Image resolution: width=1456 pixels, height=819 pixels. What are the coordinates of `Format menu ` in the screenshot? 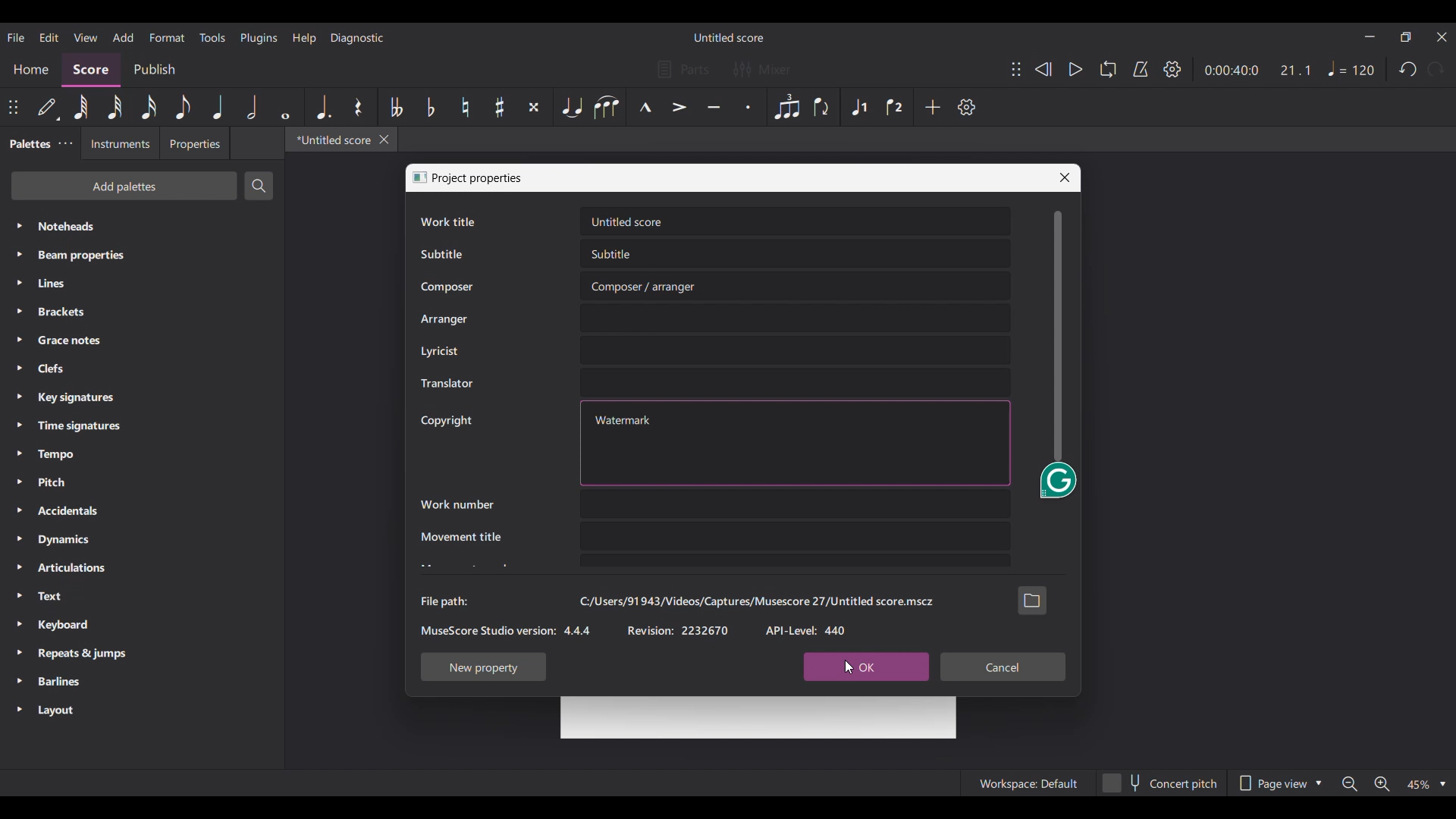 It's located at (168, 38).